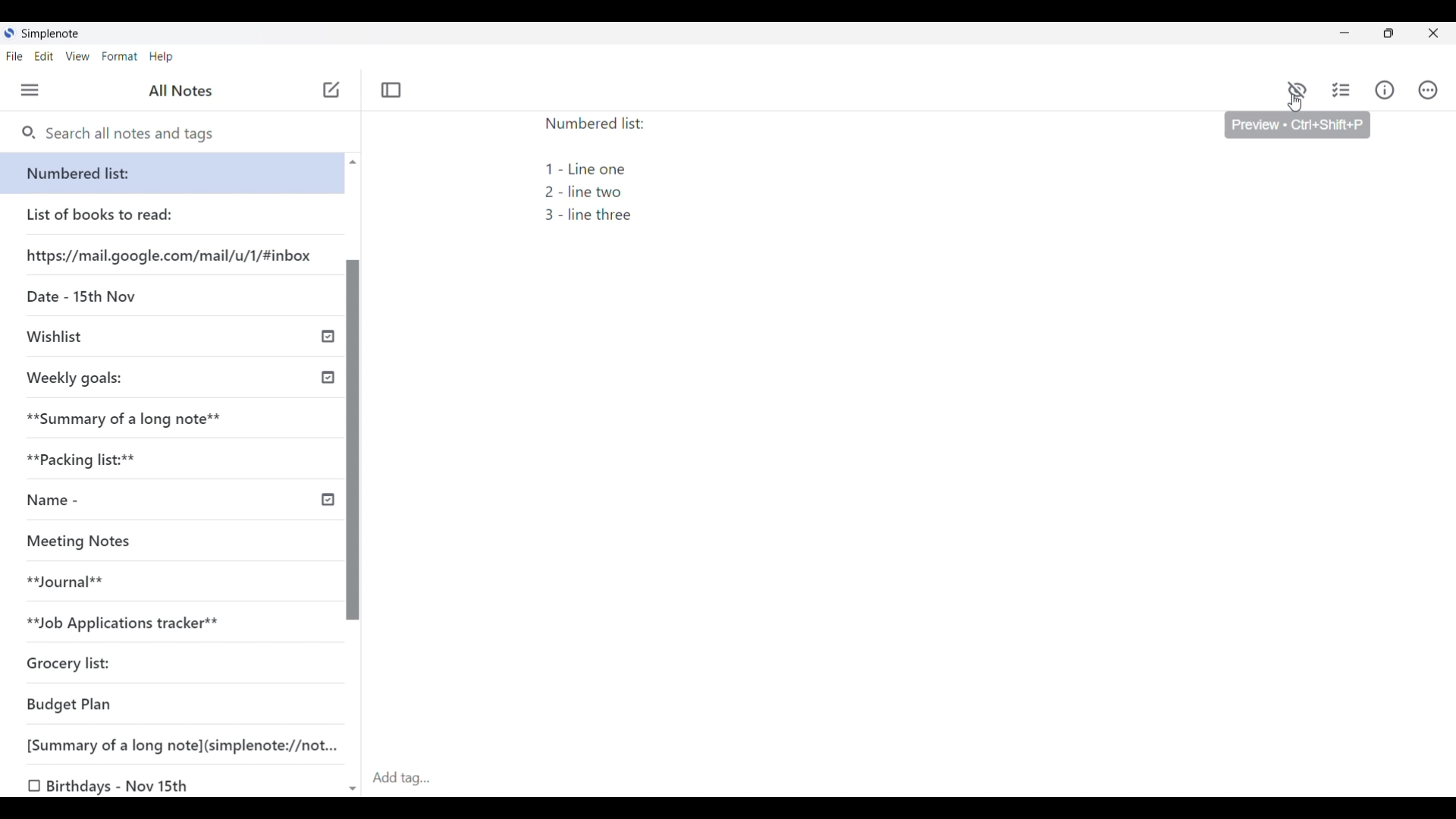  I want to click on Actions, so click(1427, 93).